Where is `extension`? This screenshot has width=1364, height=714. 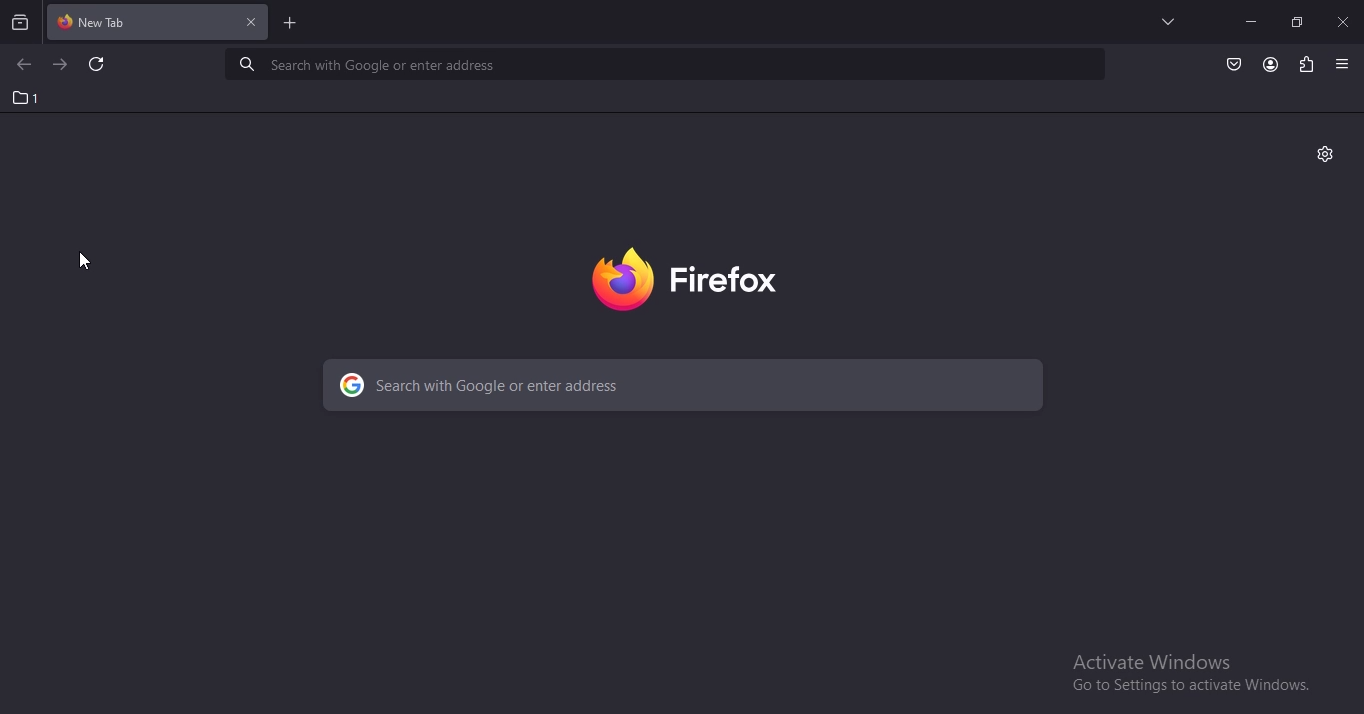 extension is located at coordinates (1307, 65).